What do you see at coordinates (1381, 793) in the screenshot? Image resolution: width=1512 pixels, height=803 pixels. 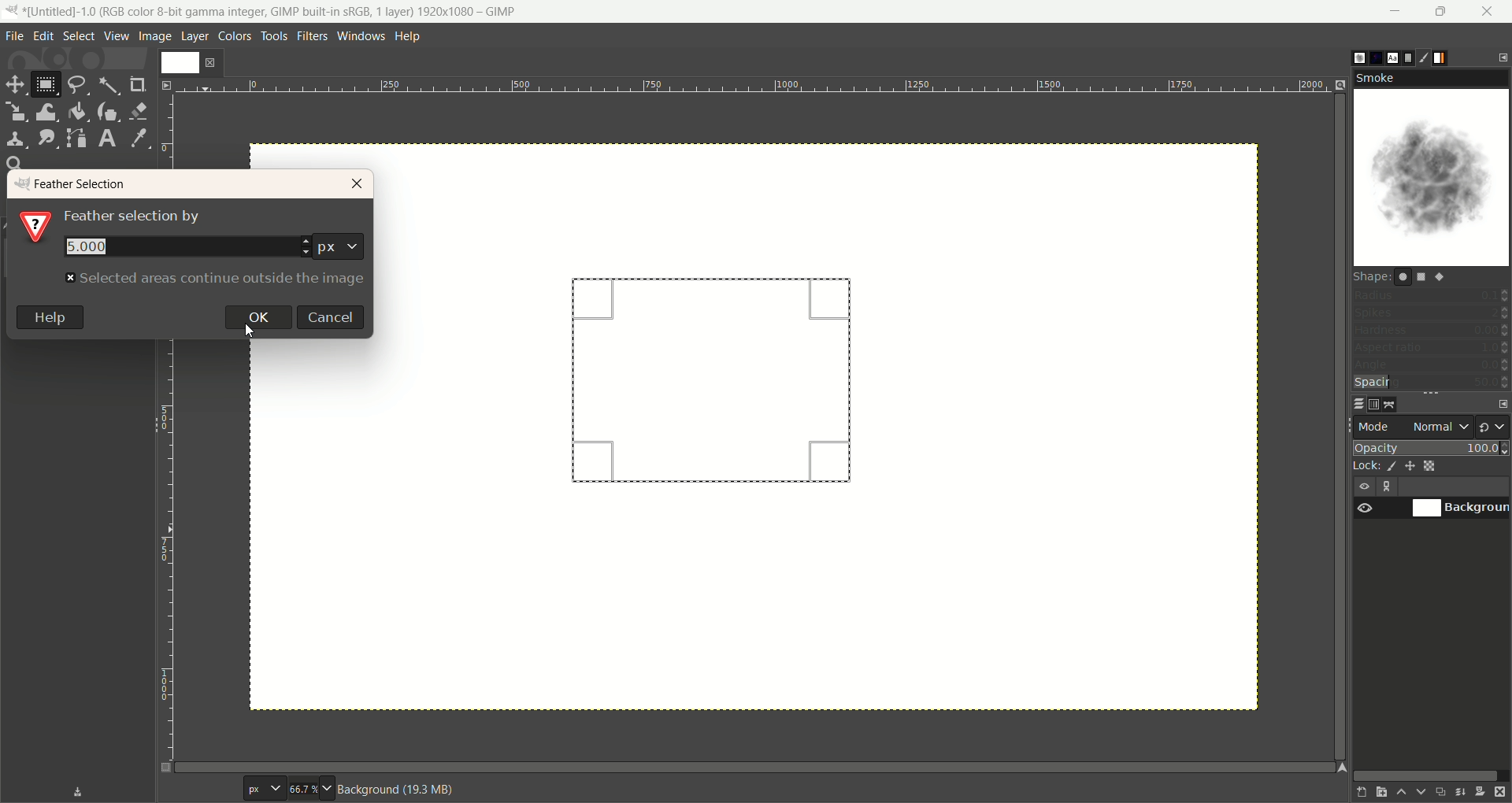 I see `create a new layer` at bounding box center [1381, 793].